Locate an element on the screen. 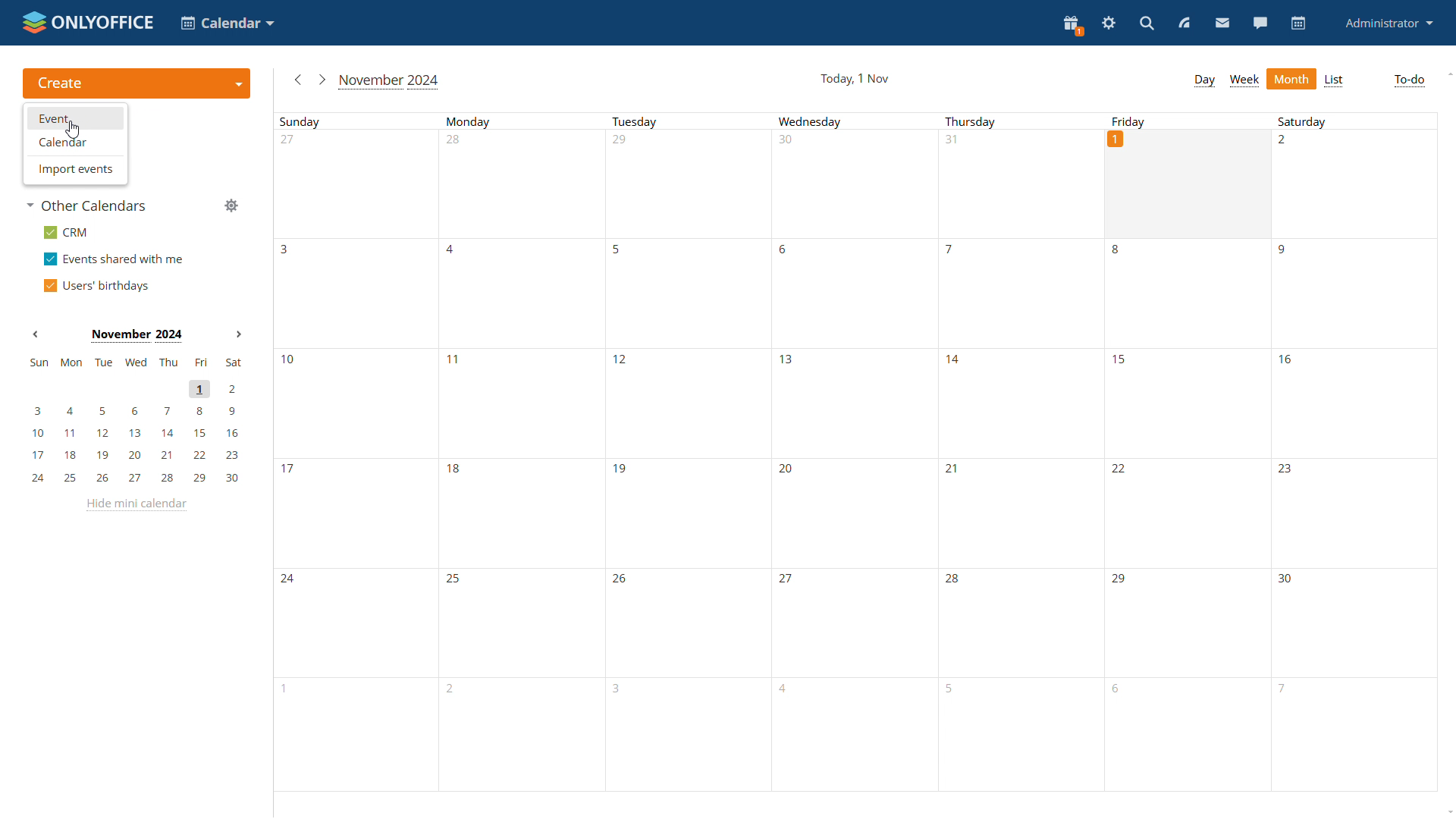 The image size is (1456, 819). cursor is located at coordinates (72, 129).